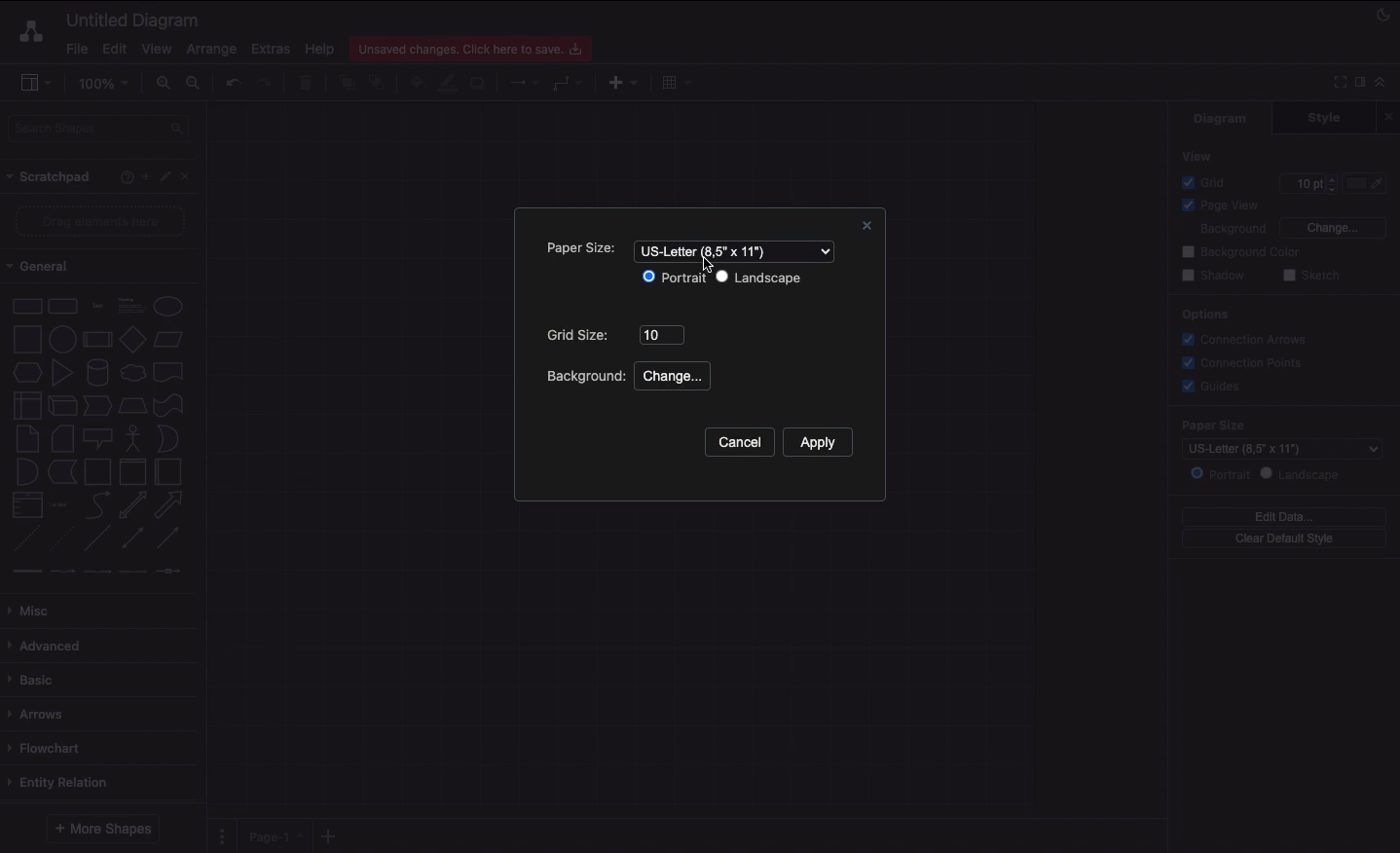 This screenshot has height=853, width=1400. I want to click on Format, so click(1361, 85).